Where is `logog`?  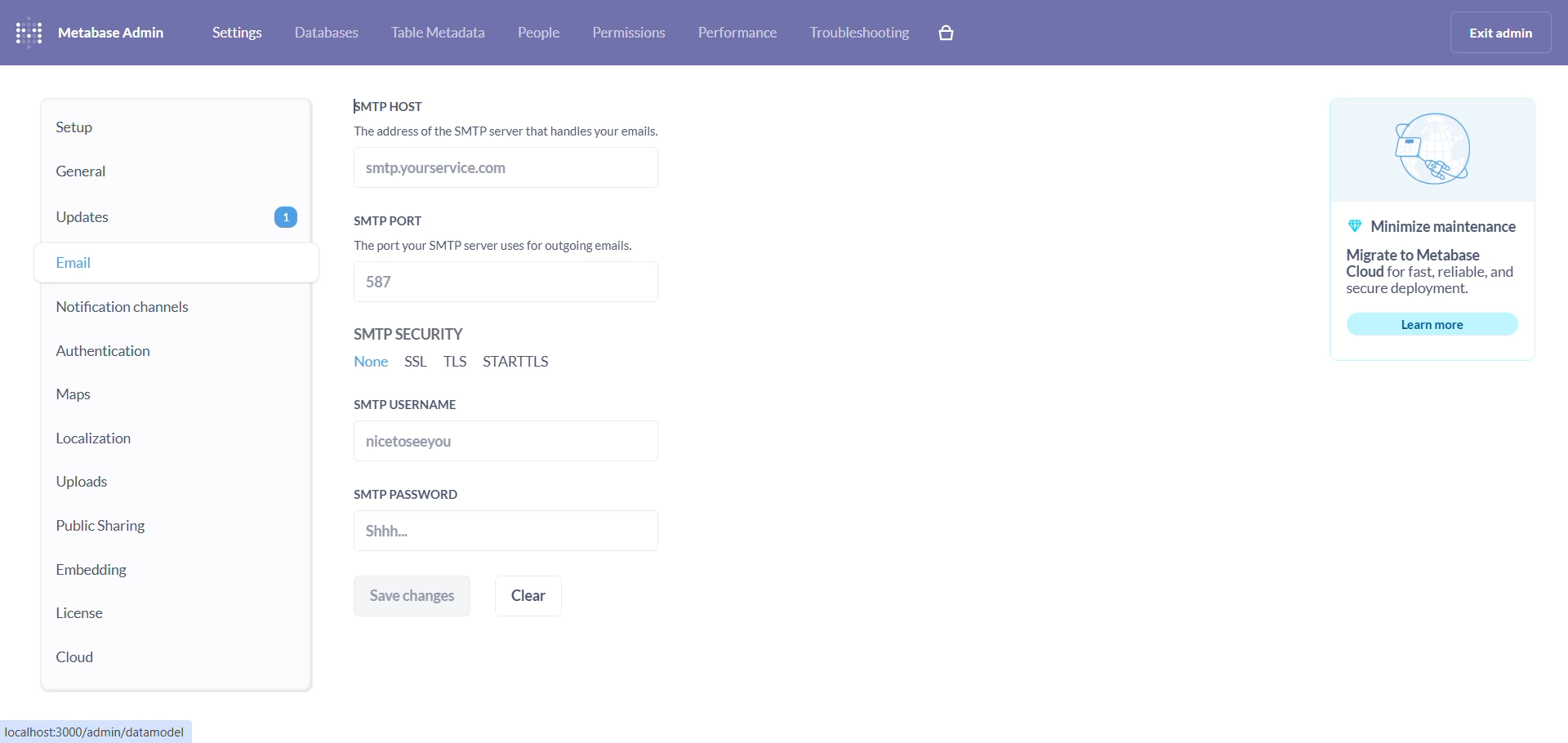
logog is located at coordinates (1422, 148).